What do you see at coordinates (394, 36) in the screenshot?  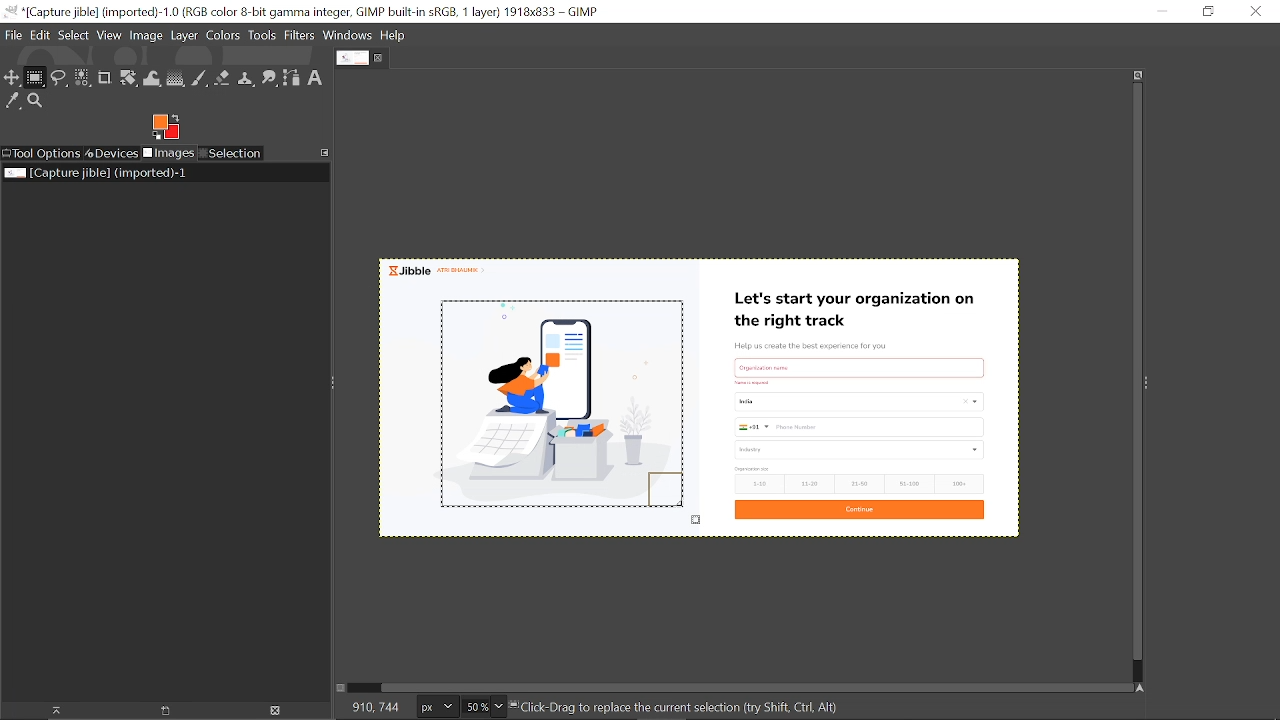 I see `Help` at bounding box center [394, 36].